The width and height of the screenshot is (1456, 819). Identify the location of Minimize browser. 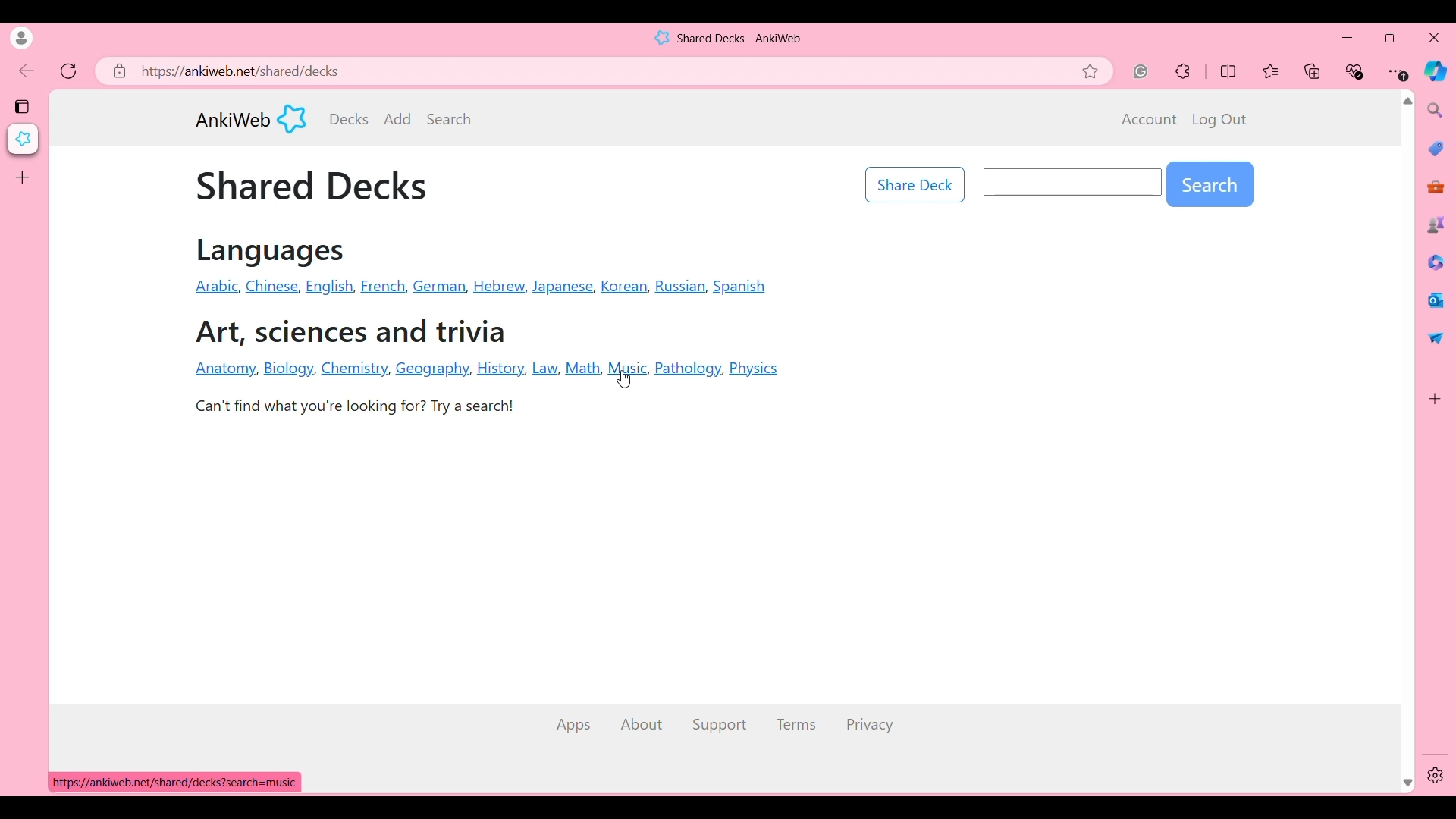
(1347, 37).